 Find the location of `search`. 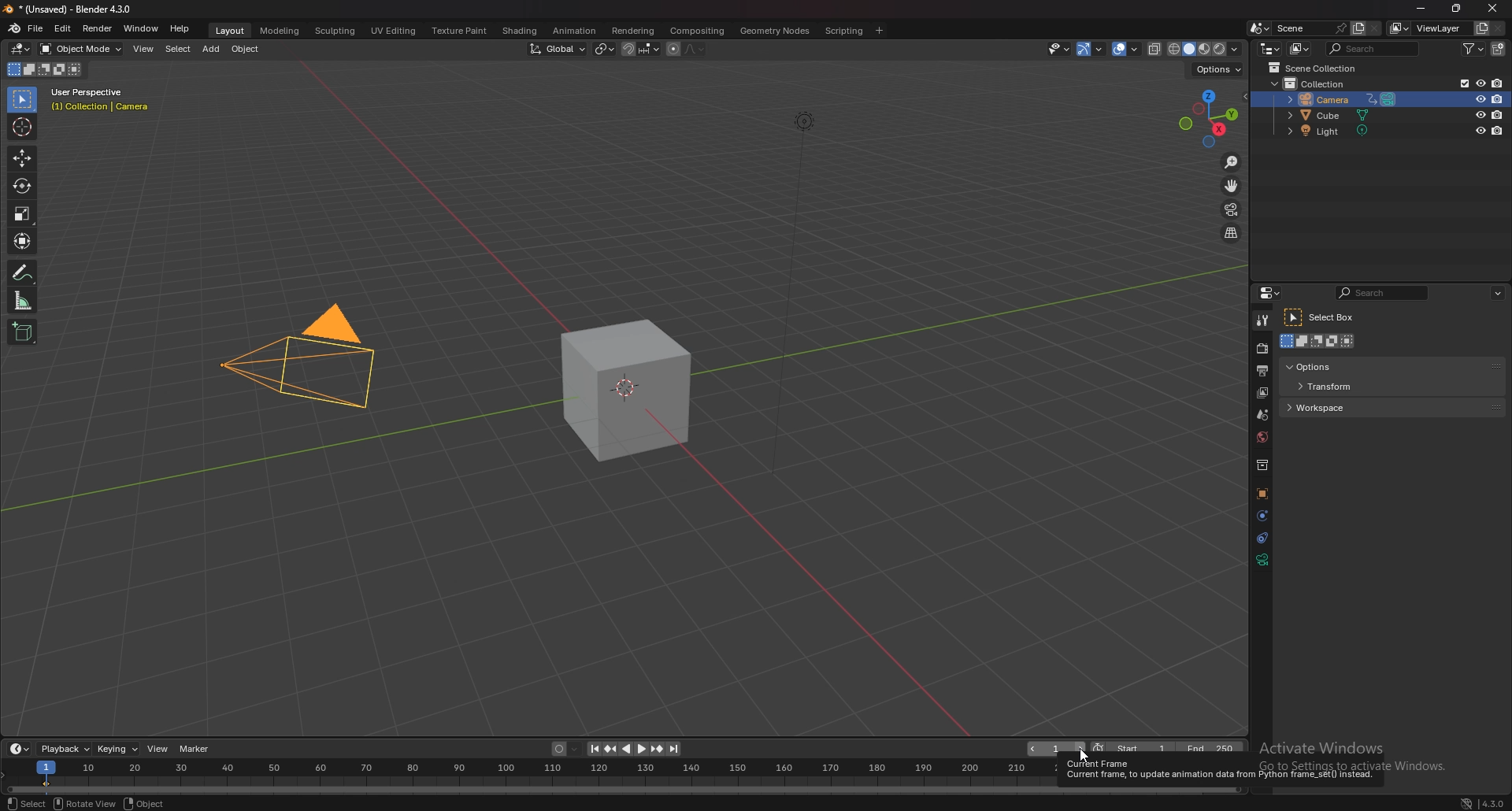

search is located at coordinates (1373, 48).